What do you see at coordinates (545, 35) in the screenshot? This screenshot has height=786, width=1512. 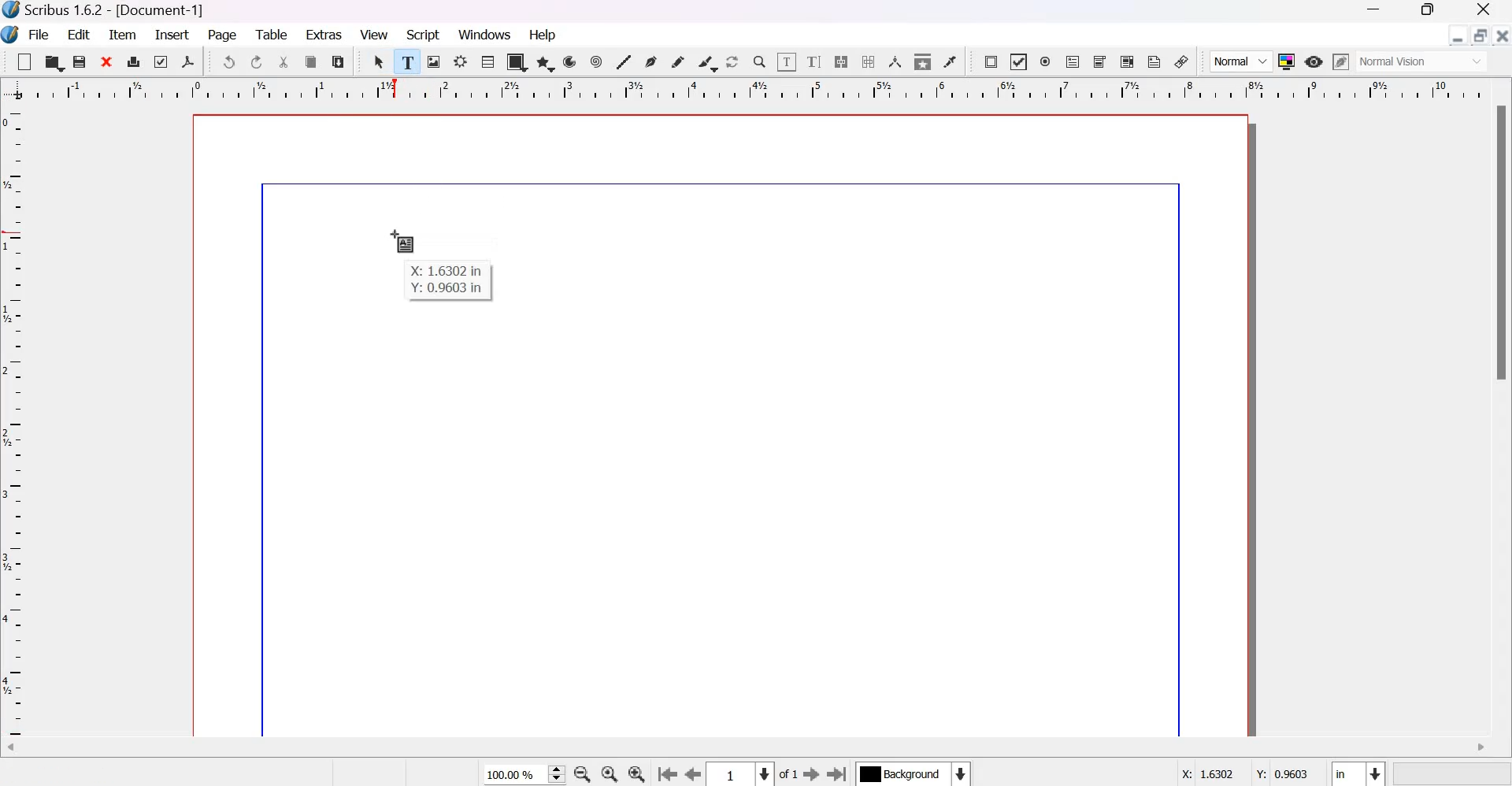 I see `Help` at bounding box center [545, 35].